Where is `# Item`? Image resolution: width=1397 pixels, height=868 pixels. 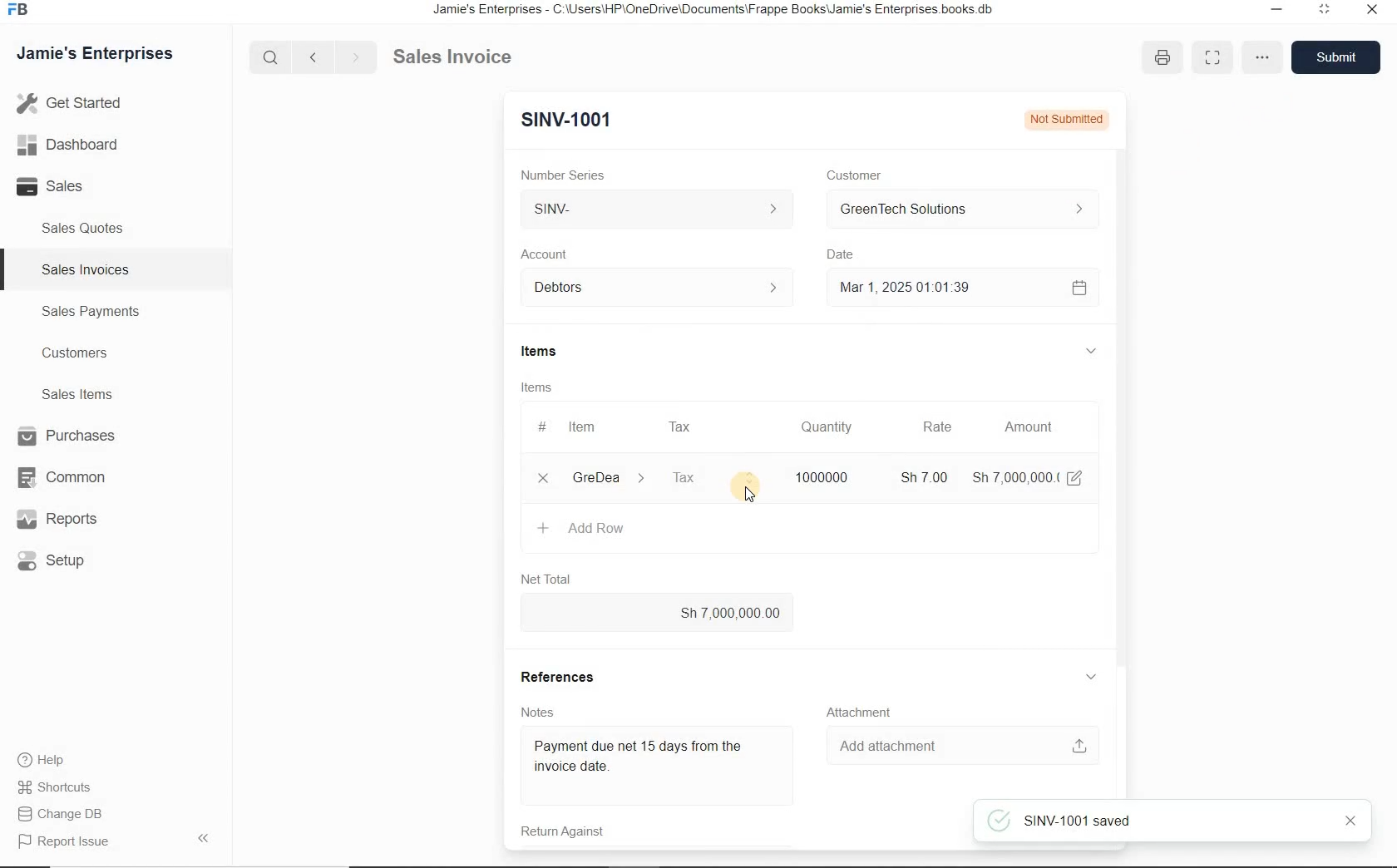
# Item is located at coordinates (578, 429).